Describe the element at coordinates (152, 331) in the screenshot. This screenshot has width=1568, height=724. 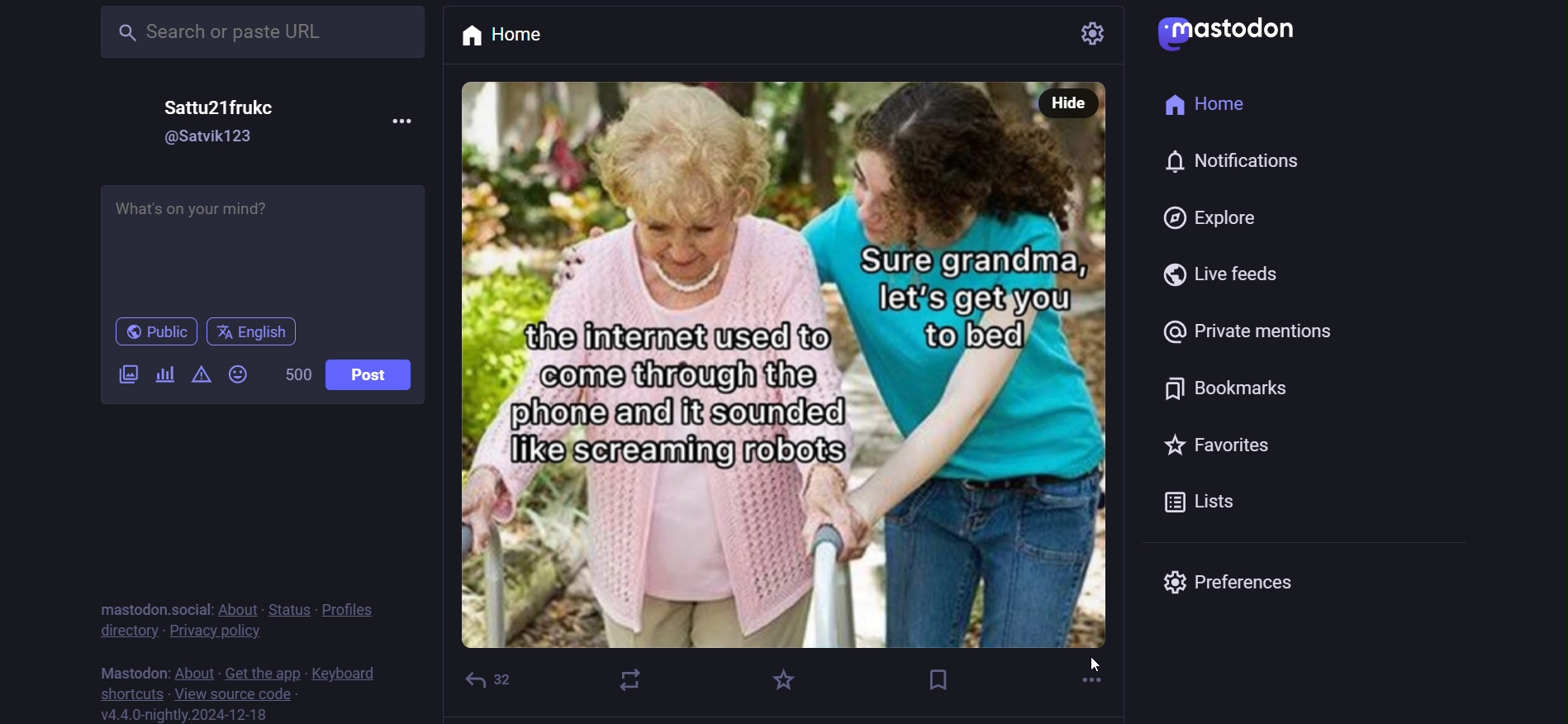
I see `public` at that location.